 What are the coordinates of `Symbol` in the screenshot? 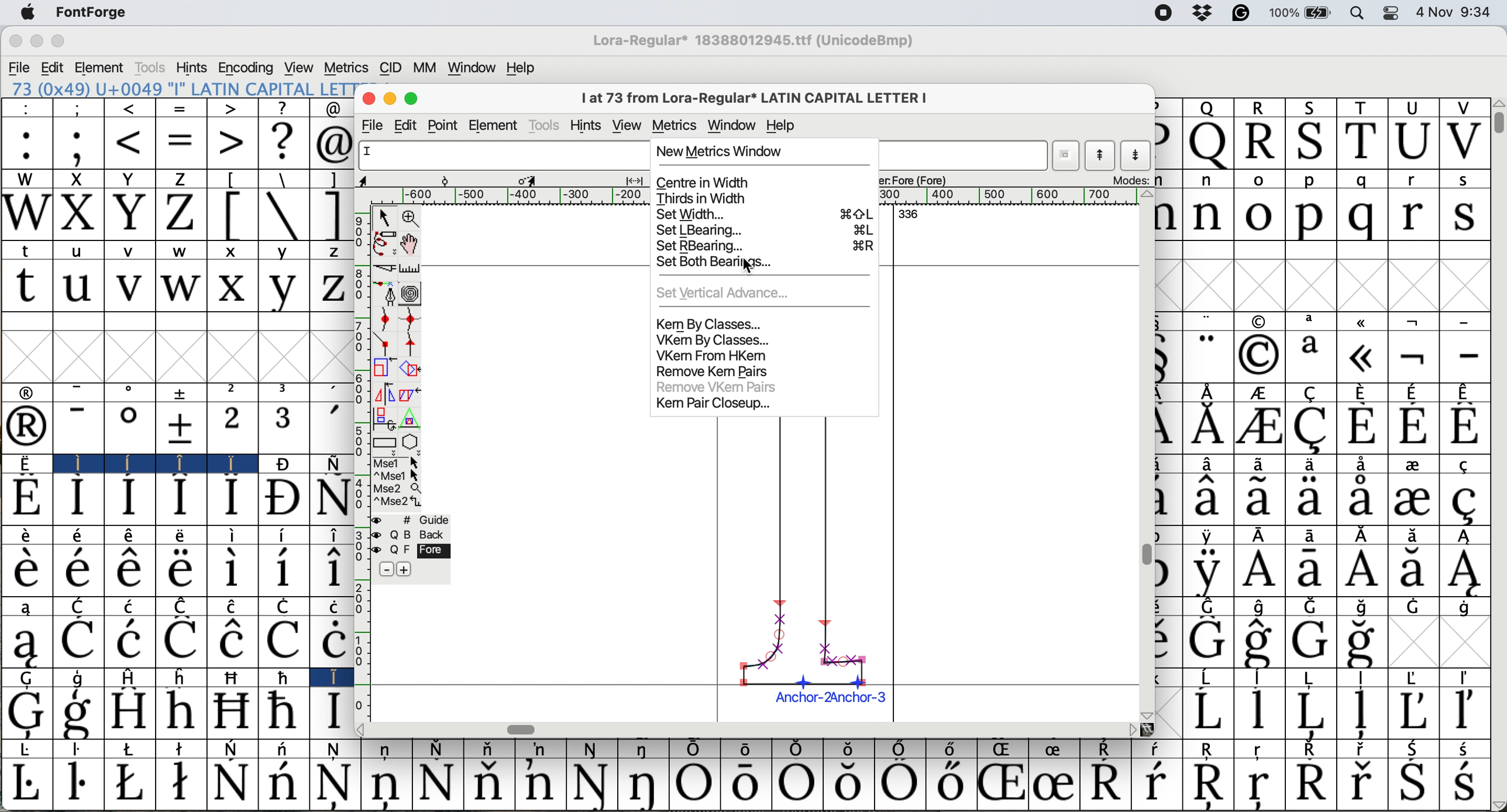 It's located at (132, 749).